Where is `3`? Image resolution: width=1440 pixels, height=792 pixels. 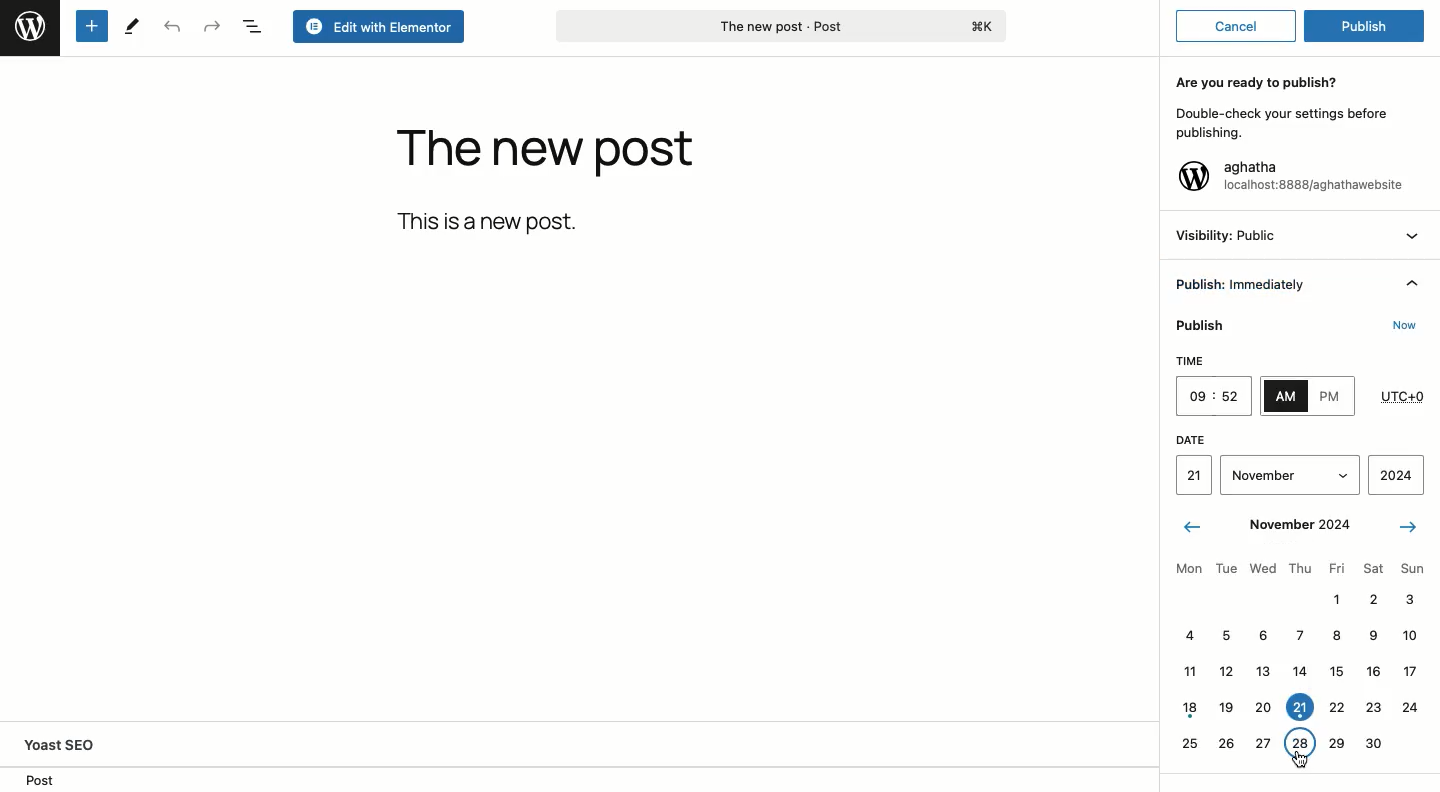 3 is located at coordinates (1408, 597).